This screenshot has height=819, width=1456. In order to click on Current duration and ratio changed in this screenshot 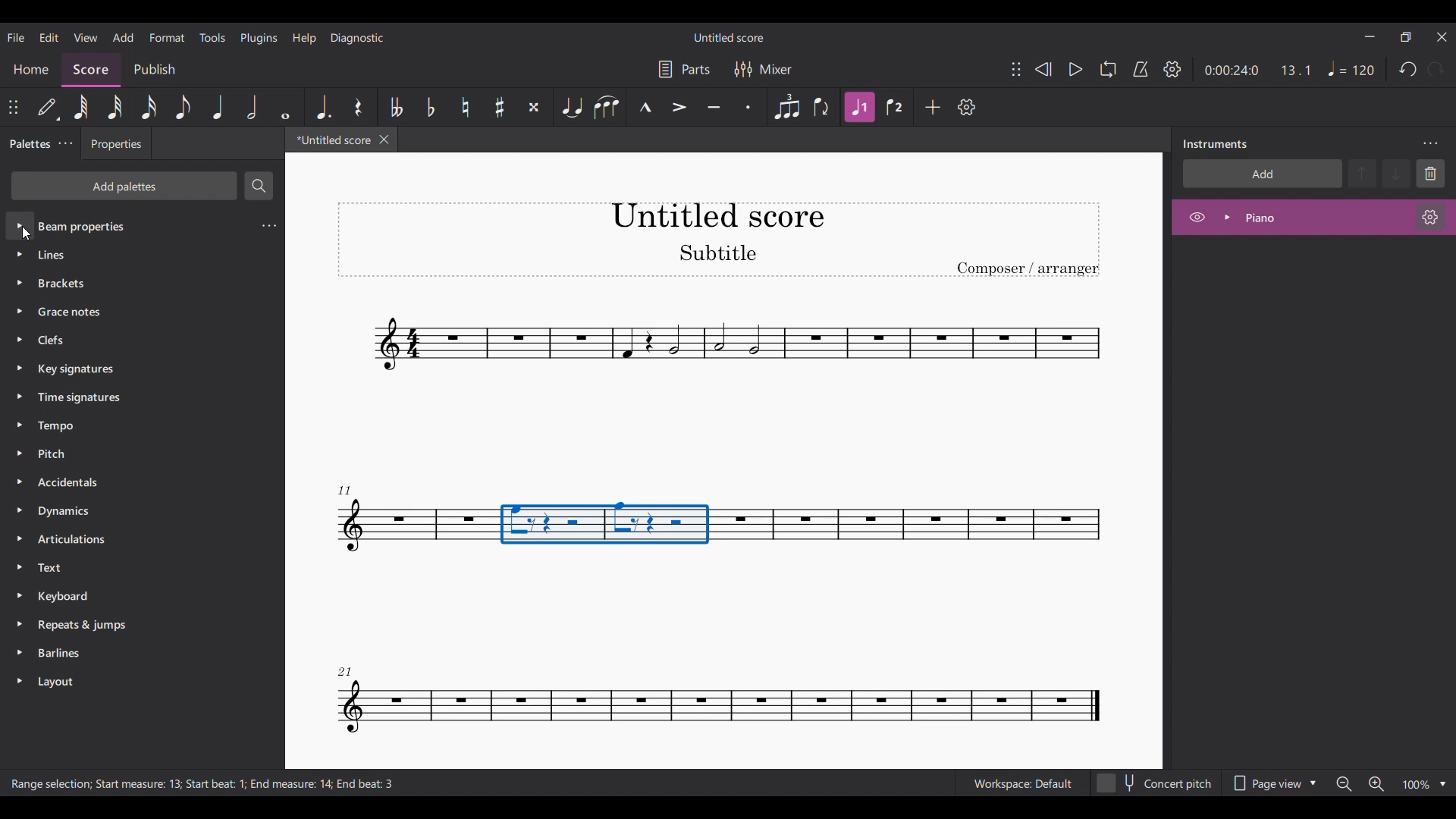, I will do `click(1257, 70)`.